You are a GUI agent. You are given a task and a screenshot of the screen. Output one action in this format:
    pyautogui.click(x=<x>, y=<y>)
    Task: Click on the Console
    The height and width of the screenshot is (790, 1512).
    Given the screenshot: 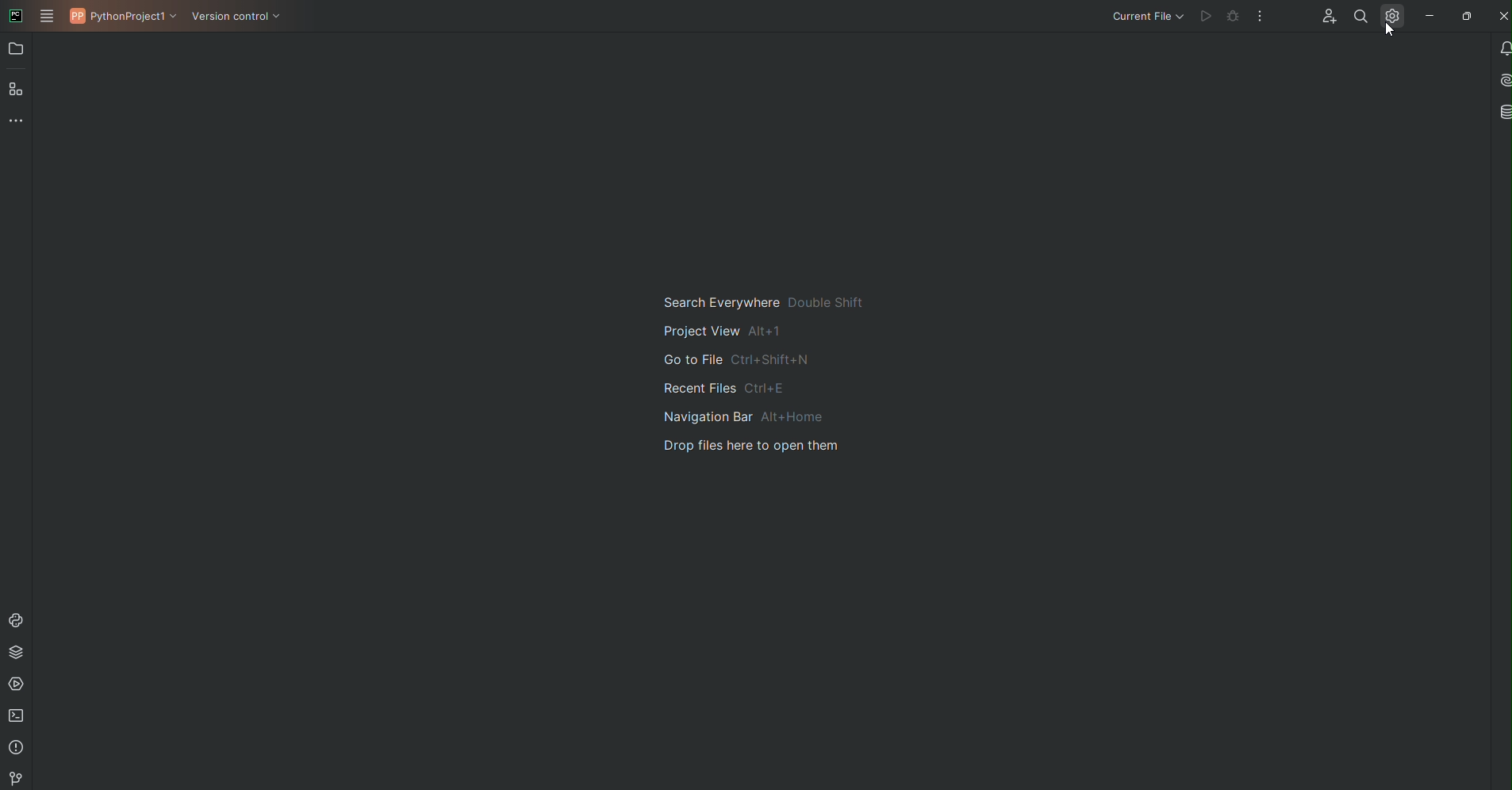 What is the action you would take?
    pyautogui.click(x=15, y=618)
    